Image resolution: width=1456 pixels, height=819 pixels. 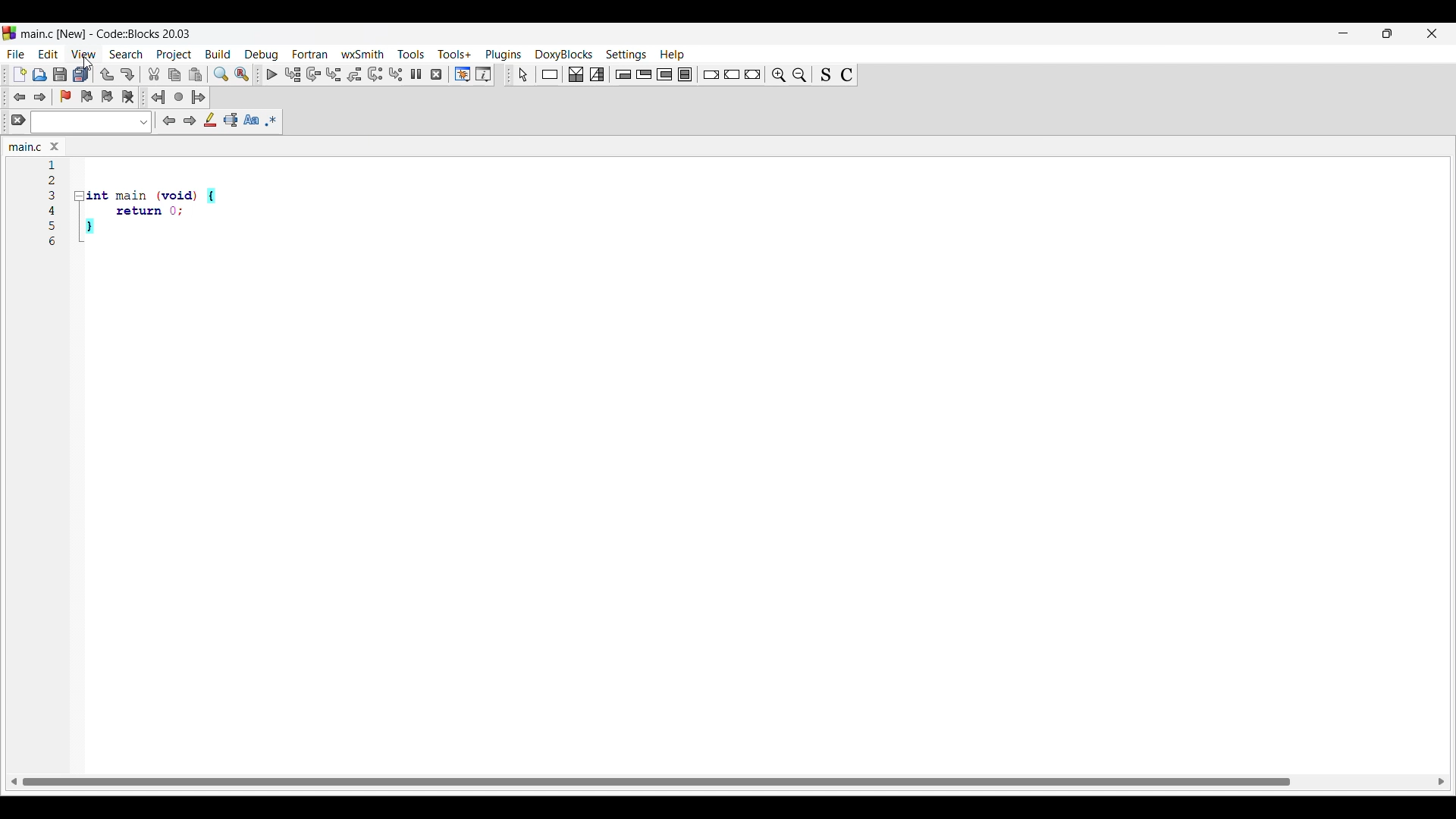 I want to click on cursor, so click(x=89, y=69).